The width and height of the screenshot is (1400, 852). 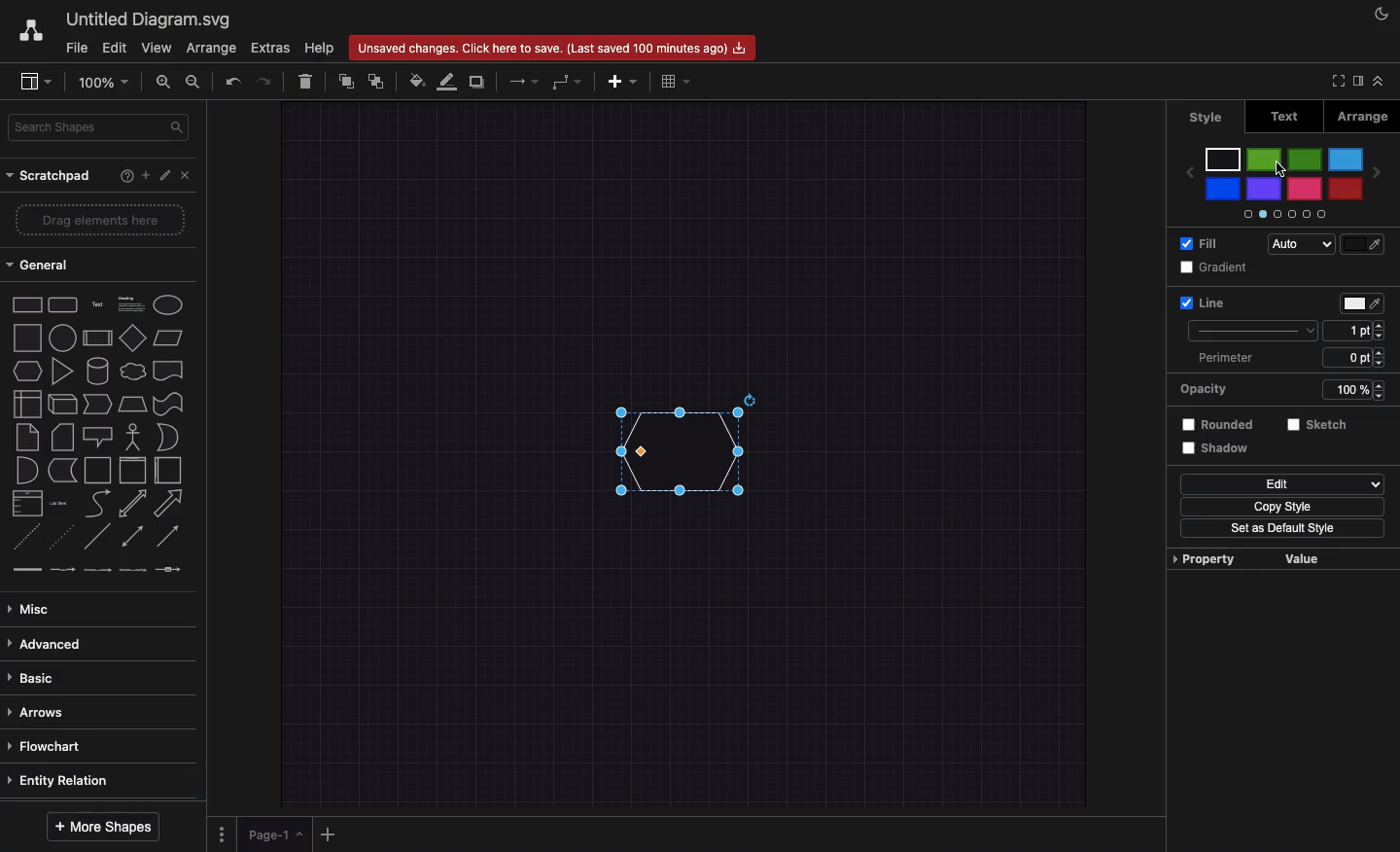 What do you see at coordinates (1286, 530) in the screenshot?
I see `Set as default style` at bounding box center [1286, 530].